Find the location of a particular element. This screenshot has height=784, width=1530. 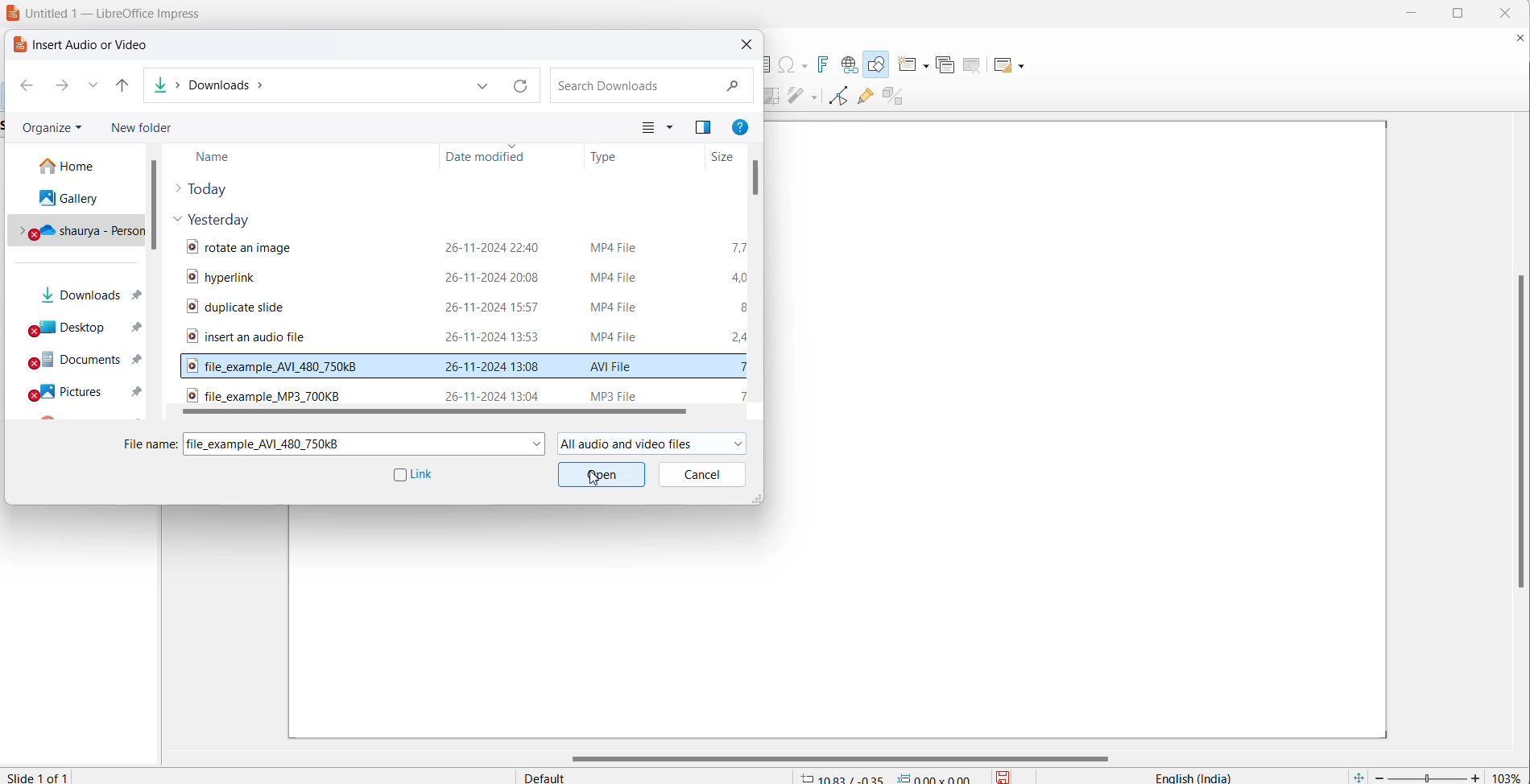

yesterday files dropdown button is located at coordinates (221, 220).